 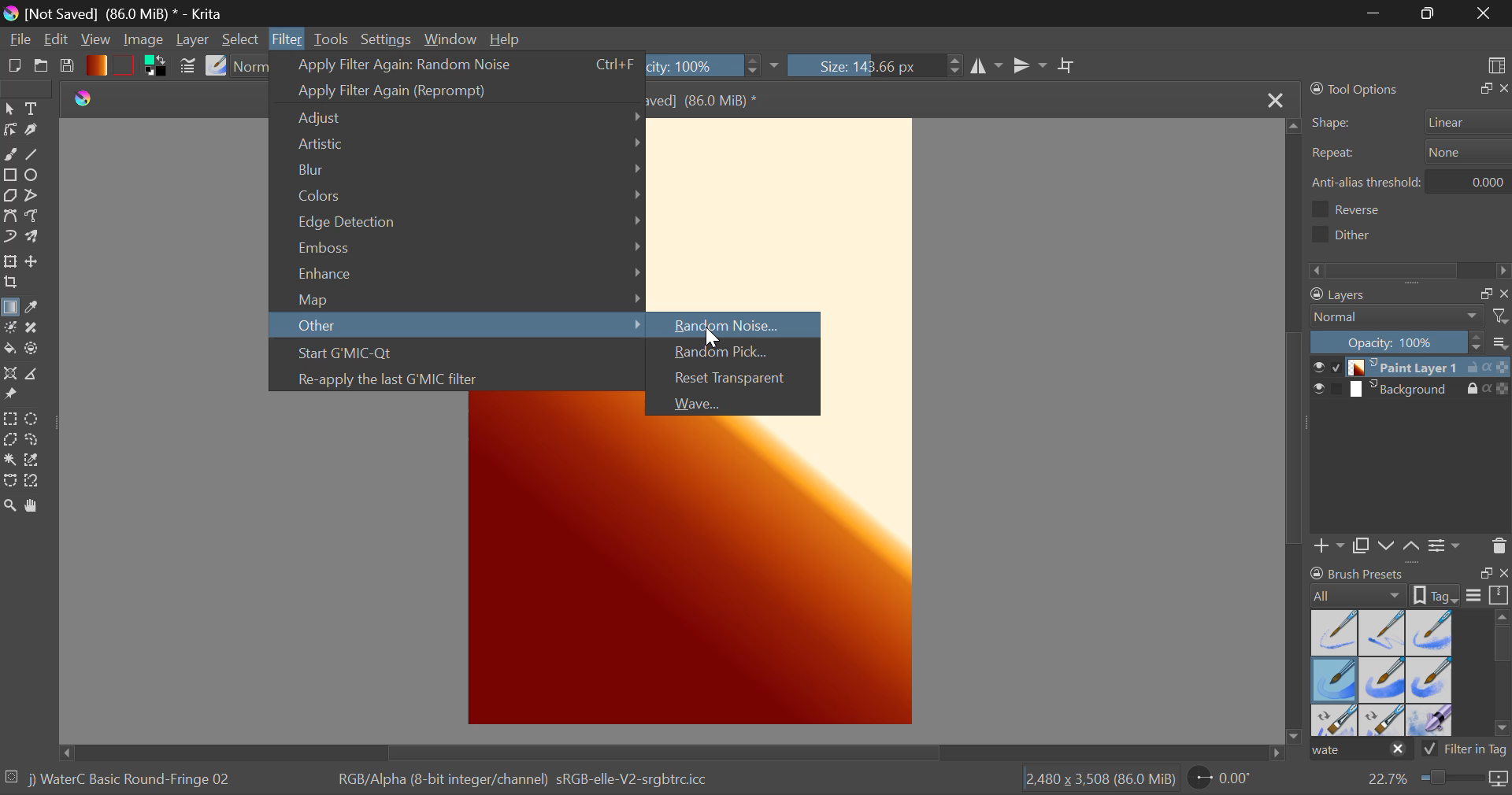 I want to click on Colors, so click(x=458, y=195).